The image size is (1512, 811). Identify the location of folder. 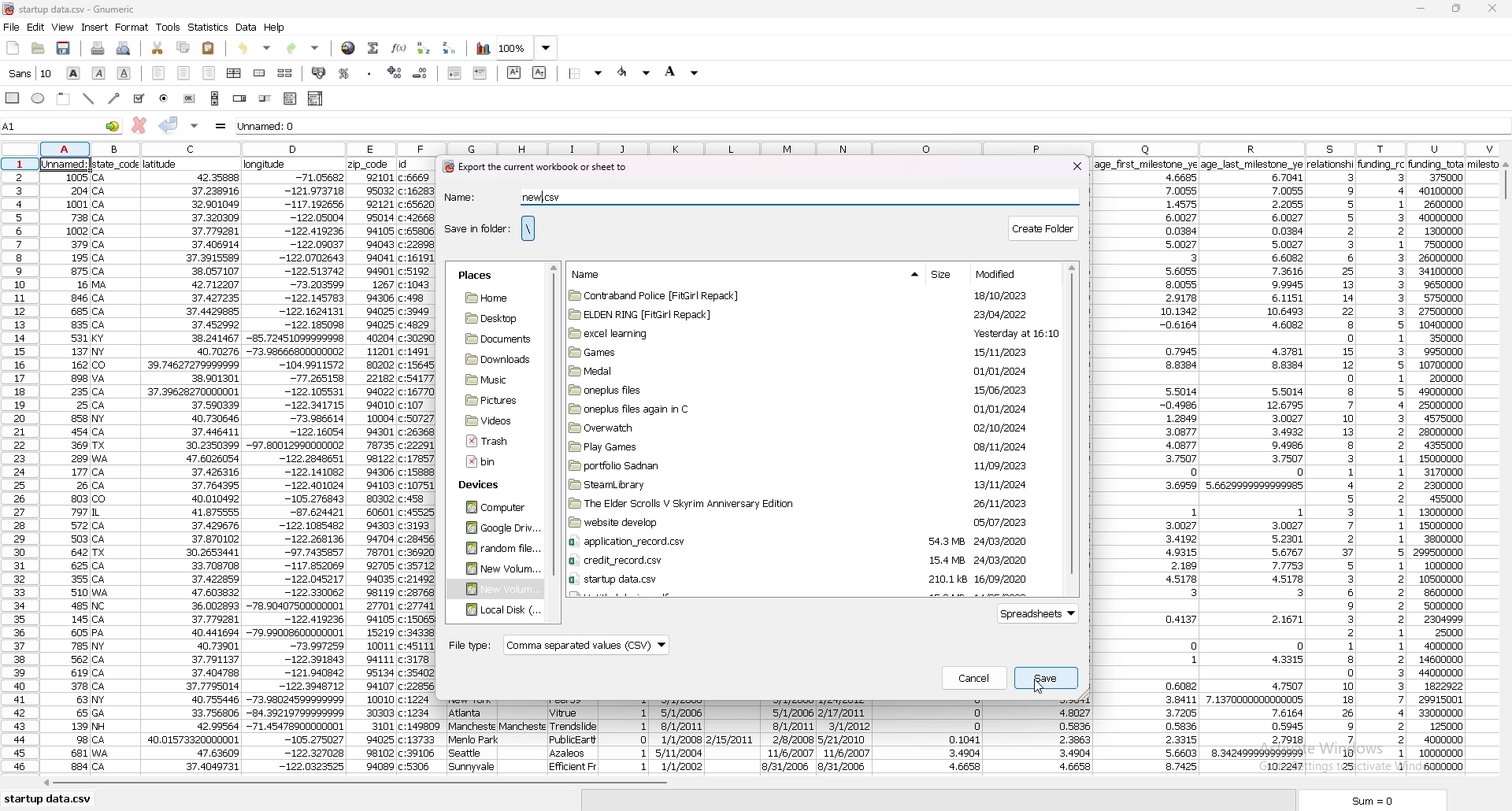
(806, 484).